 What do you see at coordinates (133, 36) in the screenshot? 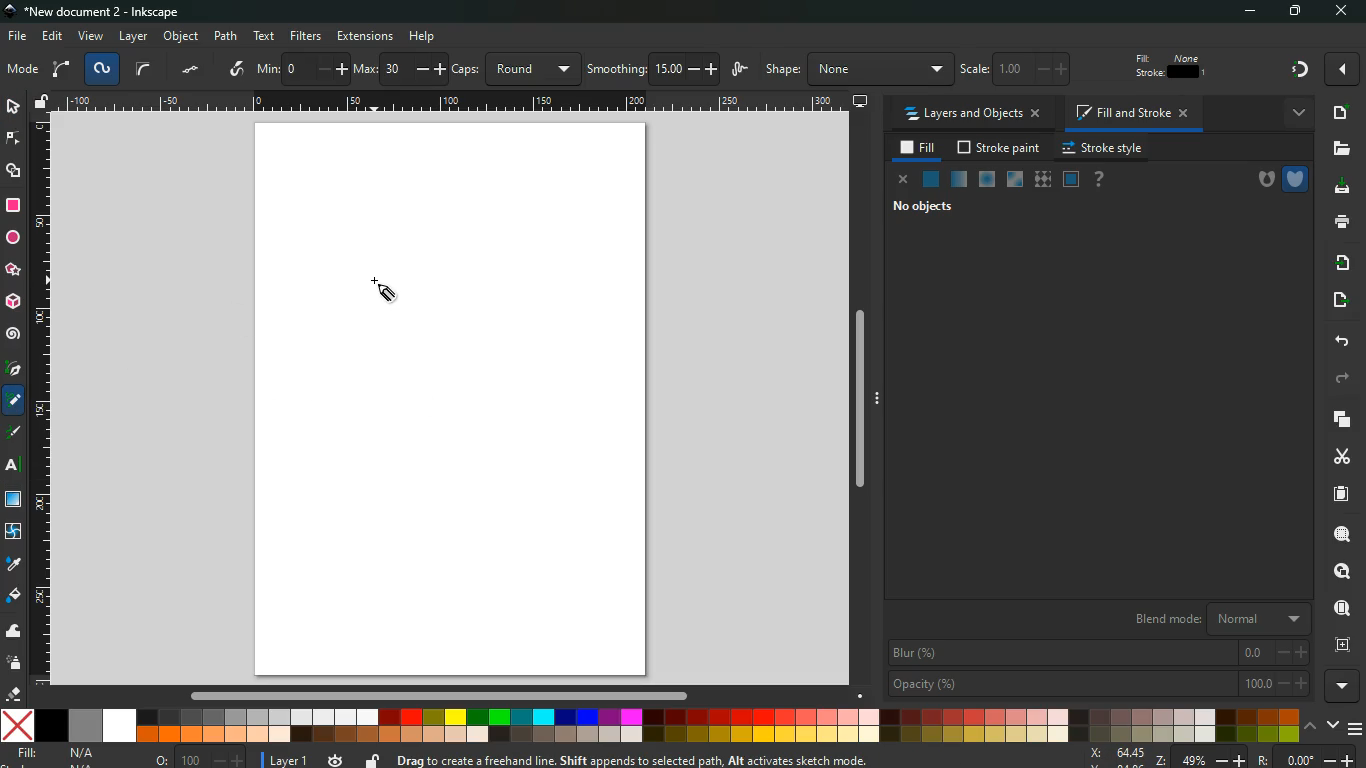
I see `layer` at bounding box center [133, 36].